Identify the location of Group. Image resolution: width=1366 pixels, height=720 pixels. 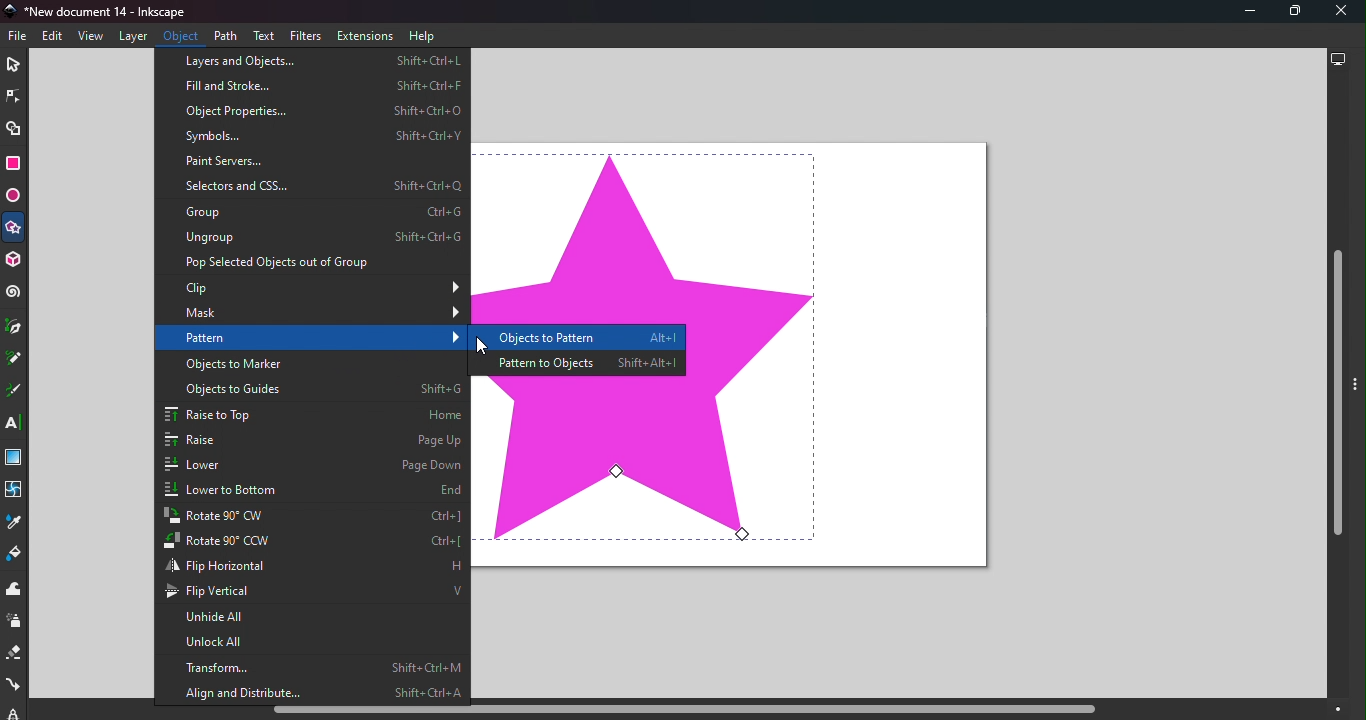
(324, 210).